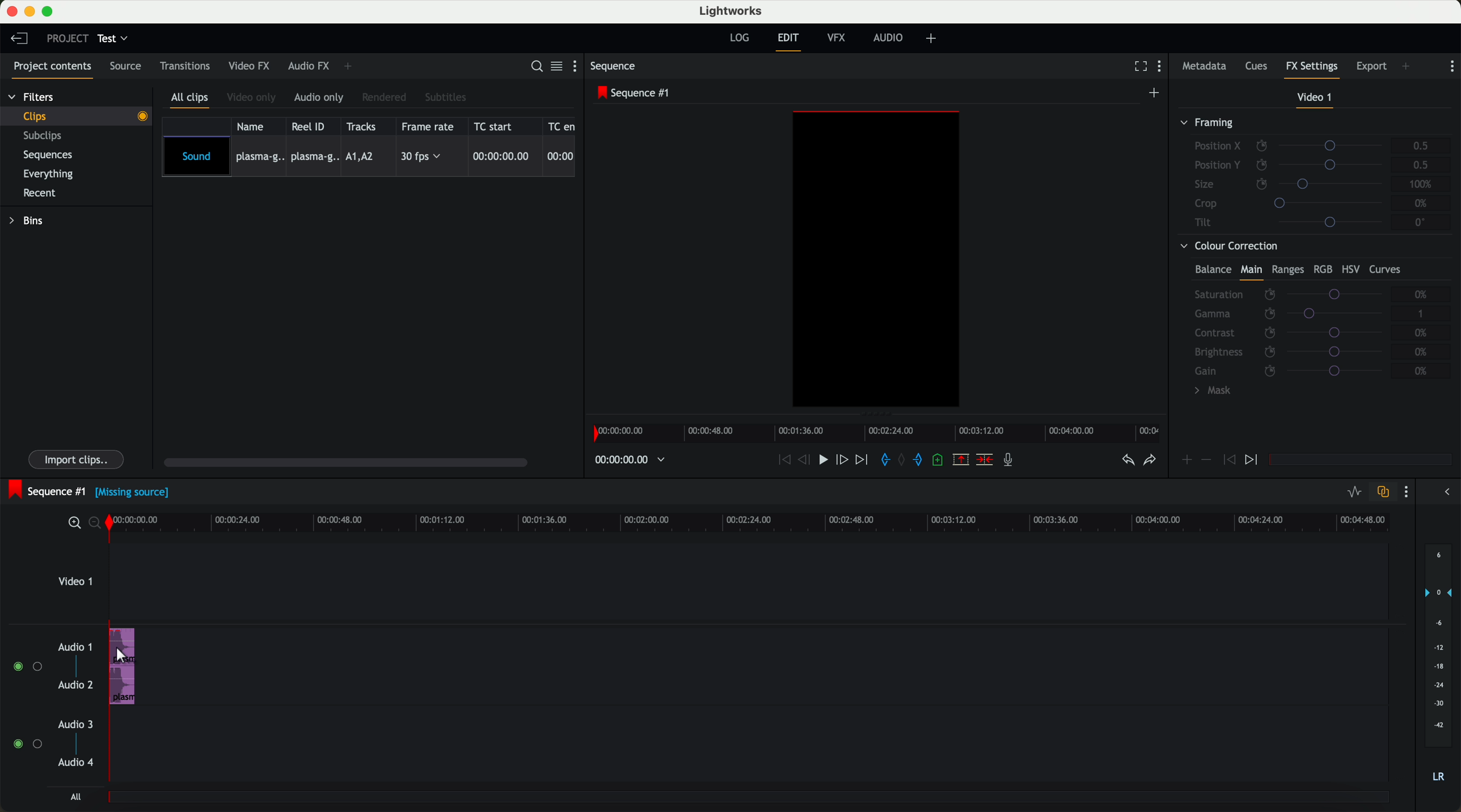 The width and height of the screenshot is (1461, 812). I want to click on play, so click(826, 461).